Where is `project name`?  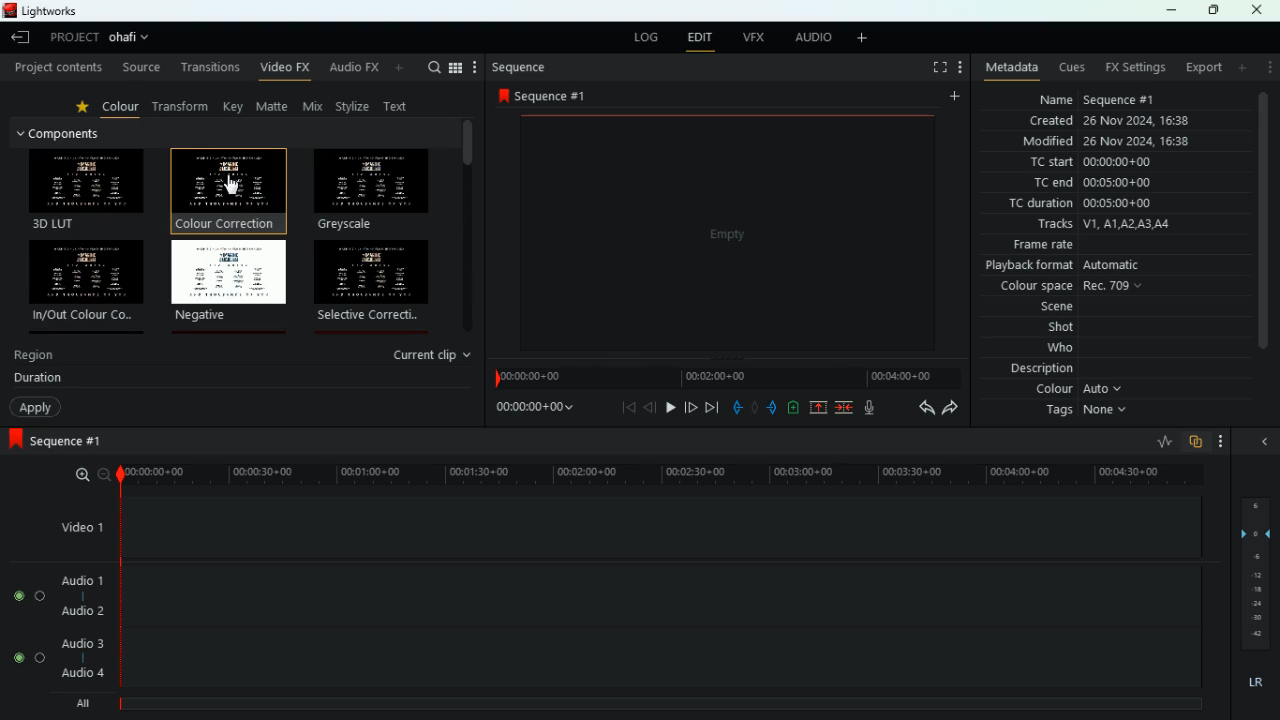 project name is located at coordinates (132, 37).